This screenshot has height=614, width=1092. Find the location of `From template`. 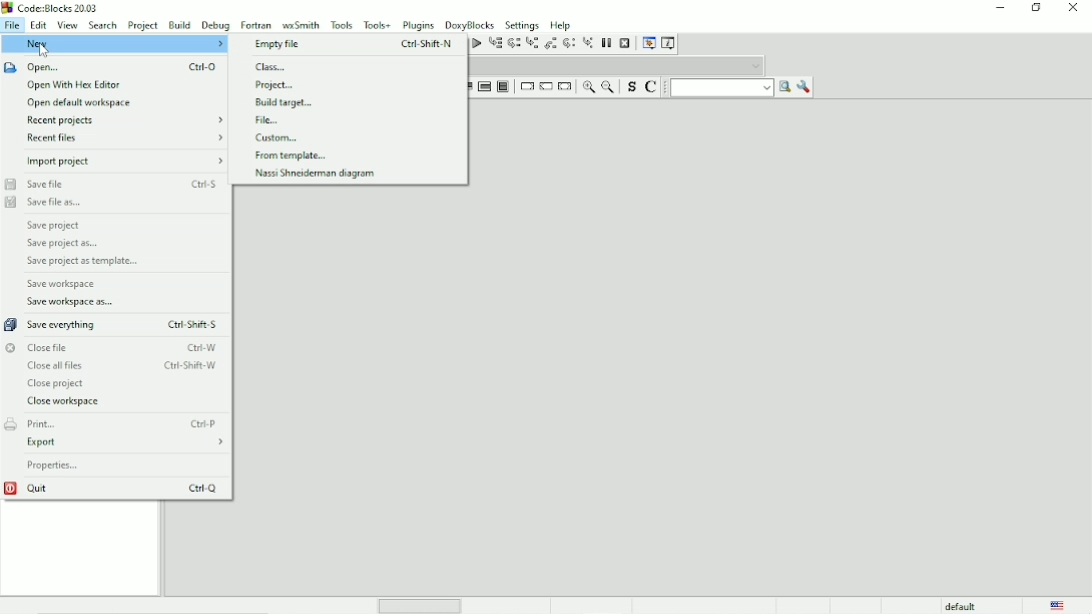

From template is located at coordinates (293, 156).